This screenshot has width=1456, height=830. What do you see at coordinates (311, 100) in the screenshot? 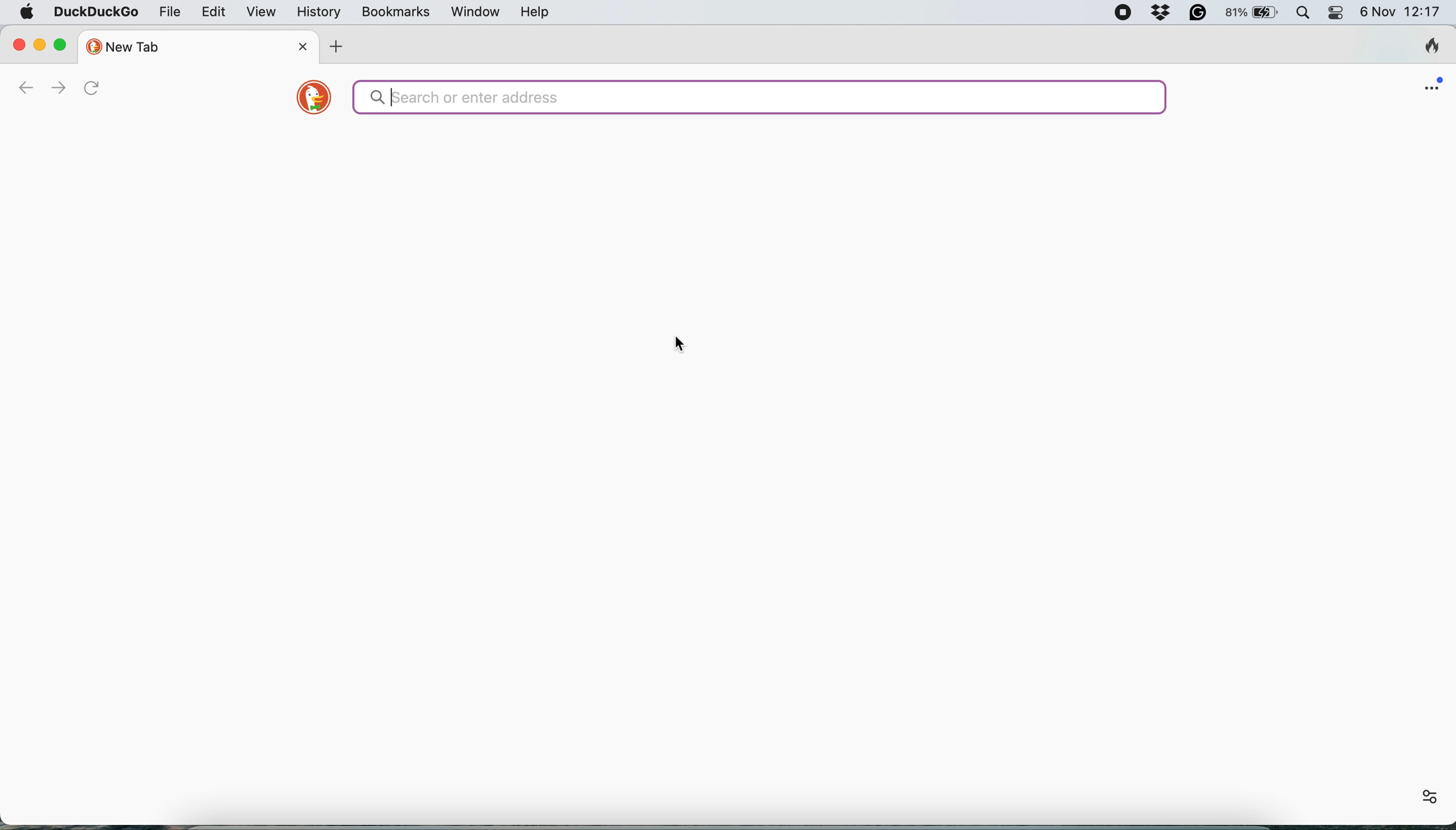
I see `duckduckgo logo` at bounding box center [311, 100].